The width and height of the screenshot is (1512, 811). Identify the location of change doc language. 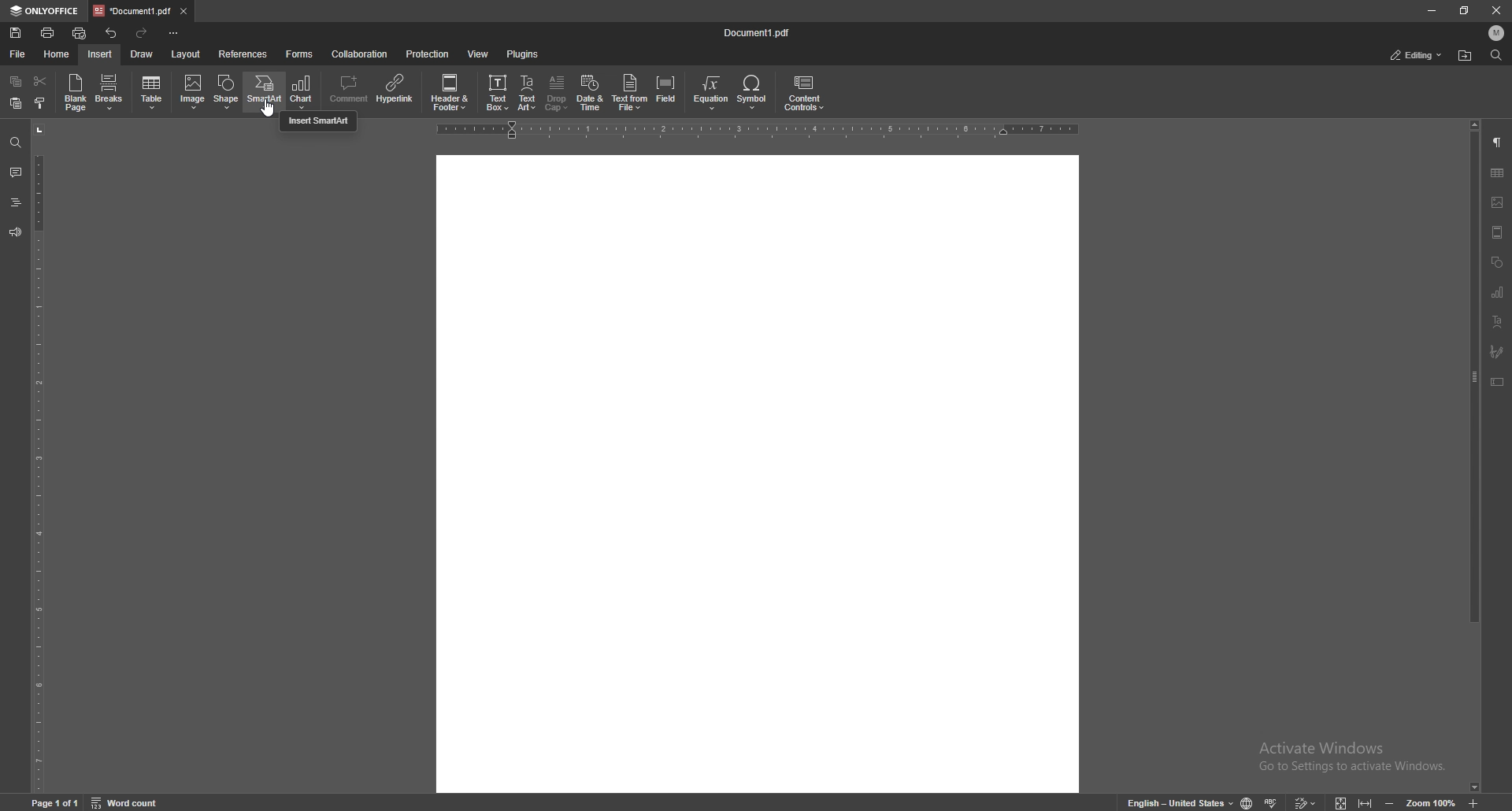
(1247, 802).